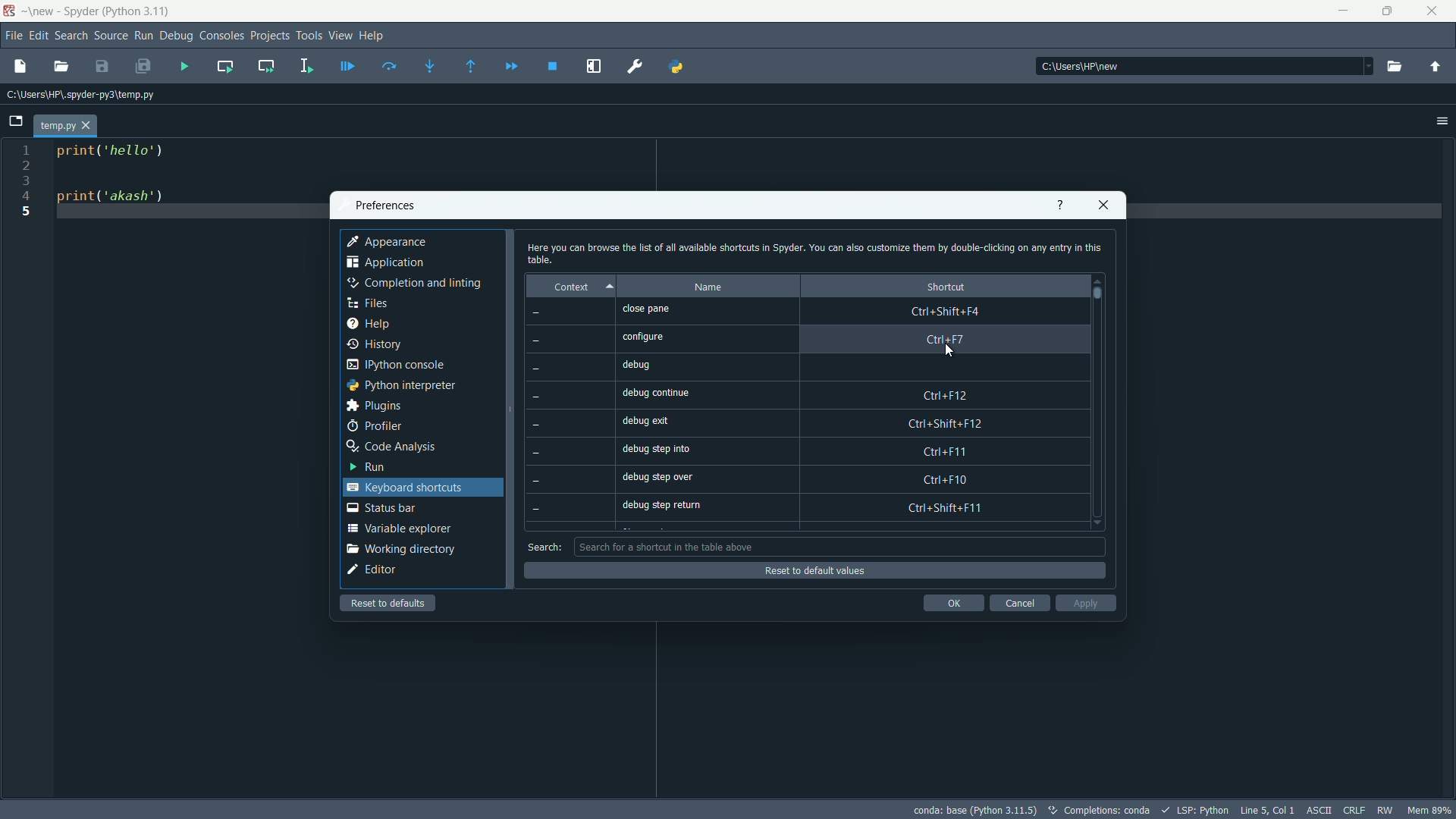 Image resolution: width=1456 pixels, height=819 pixels. I want to click on run current cell and go to next one, so click(266, 65).